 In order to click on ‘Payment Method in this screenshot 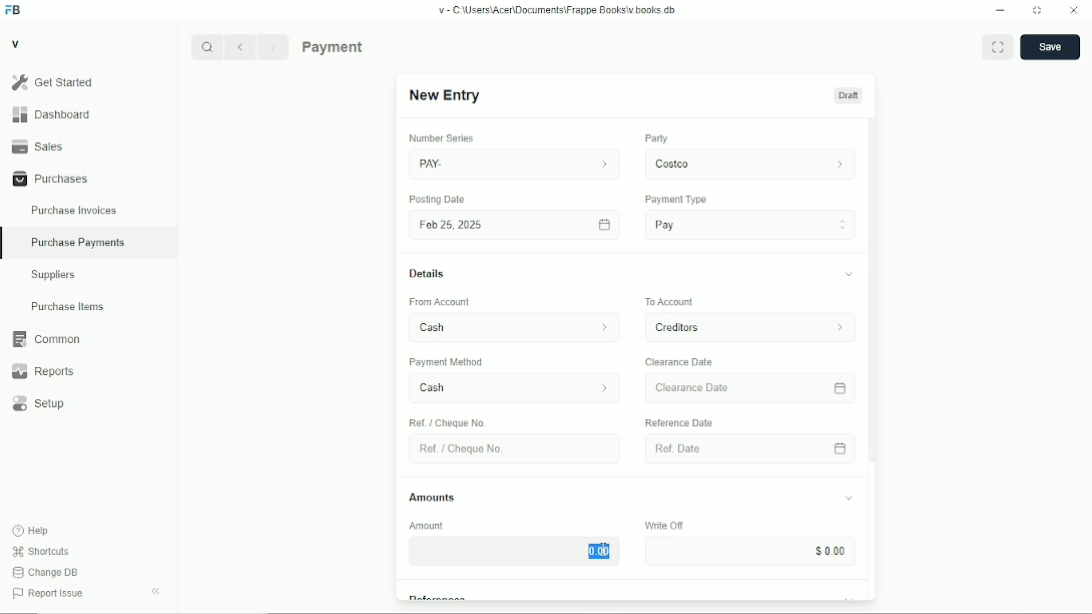, I will do `click(454, 364)`.